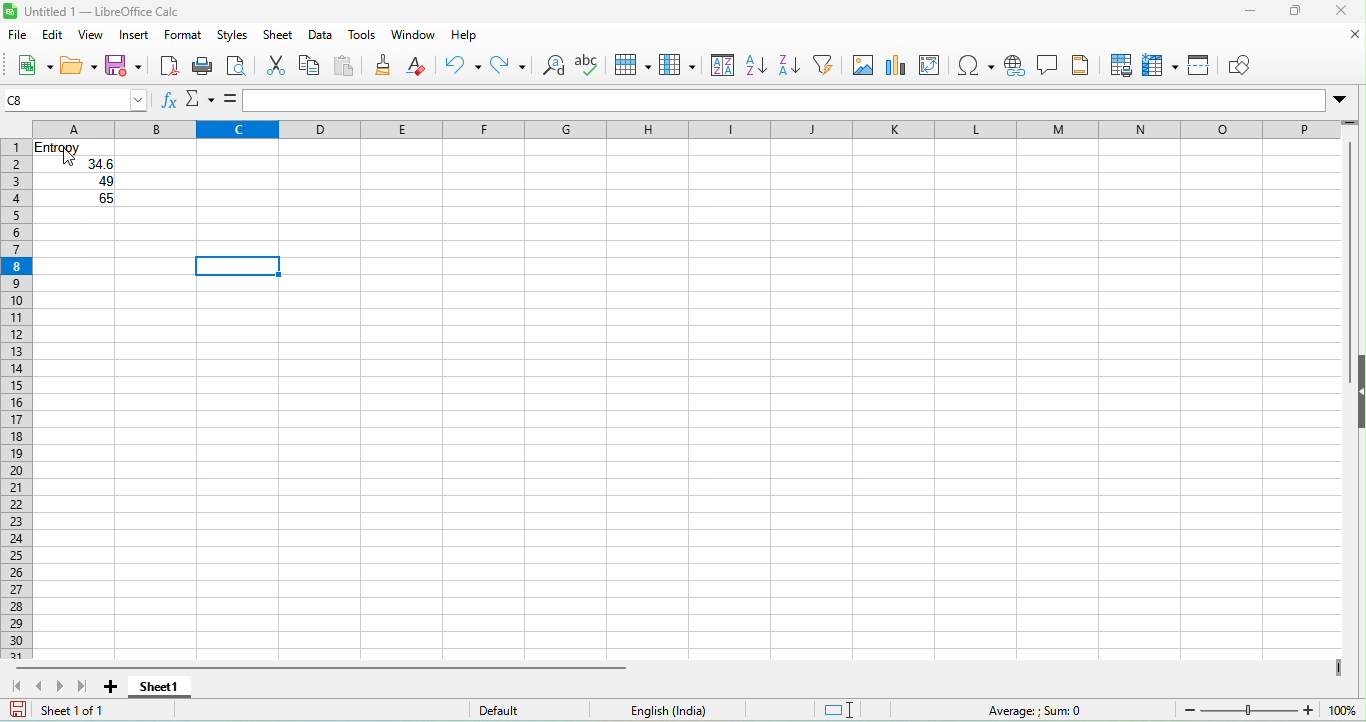 The image size is (1366, 722). What do you see at coordinates (65, 682) in the screenshot?
I see `scroll to next sheet` at bounding box center [65, 682].